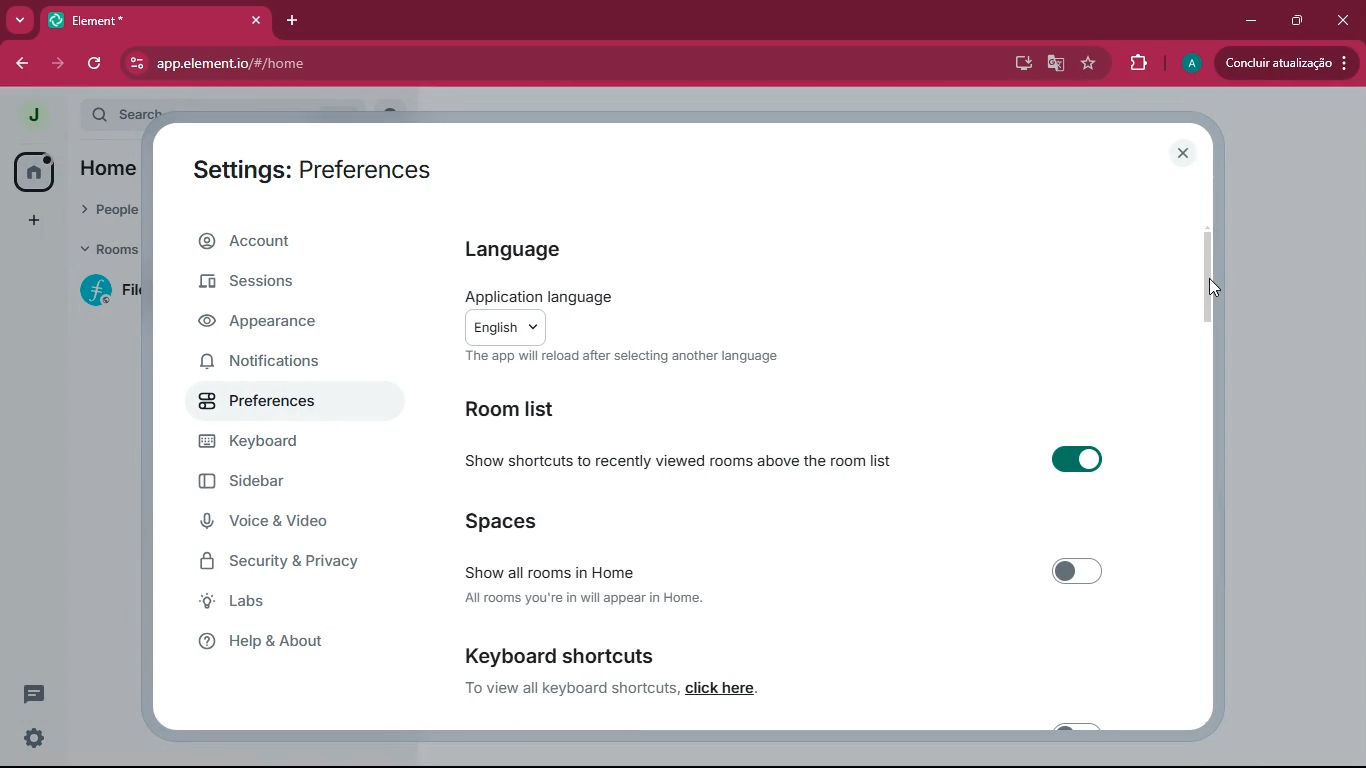 The image size is (1366, 768). Describe the element at coordinates (1057, 65) in the screenshot. I see `google translate` at that location.